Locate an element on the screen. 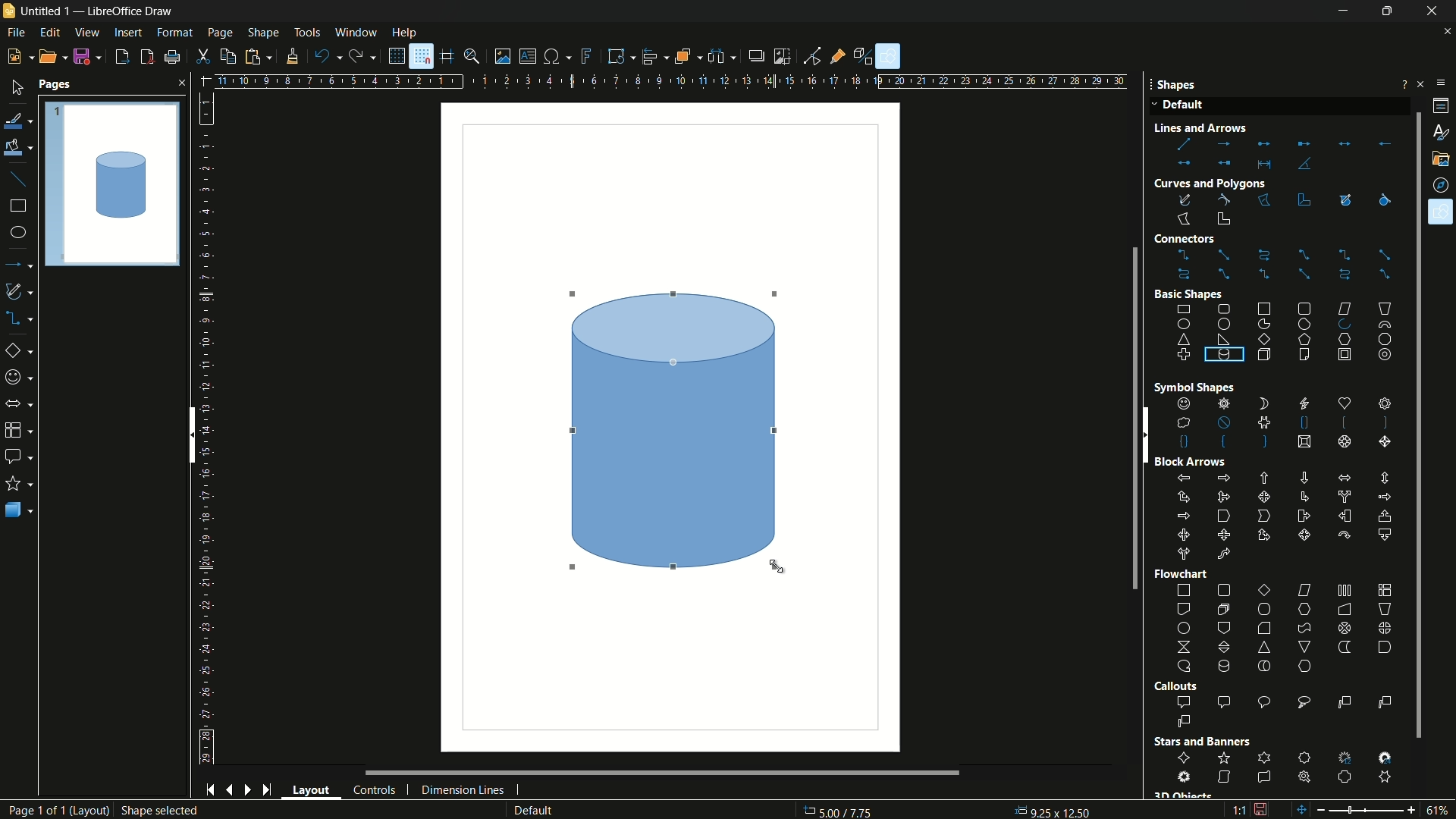 The image size is (1456, 819). file menu is located at coordinates (14, 33).